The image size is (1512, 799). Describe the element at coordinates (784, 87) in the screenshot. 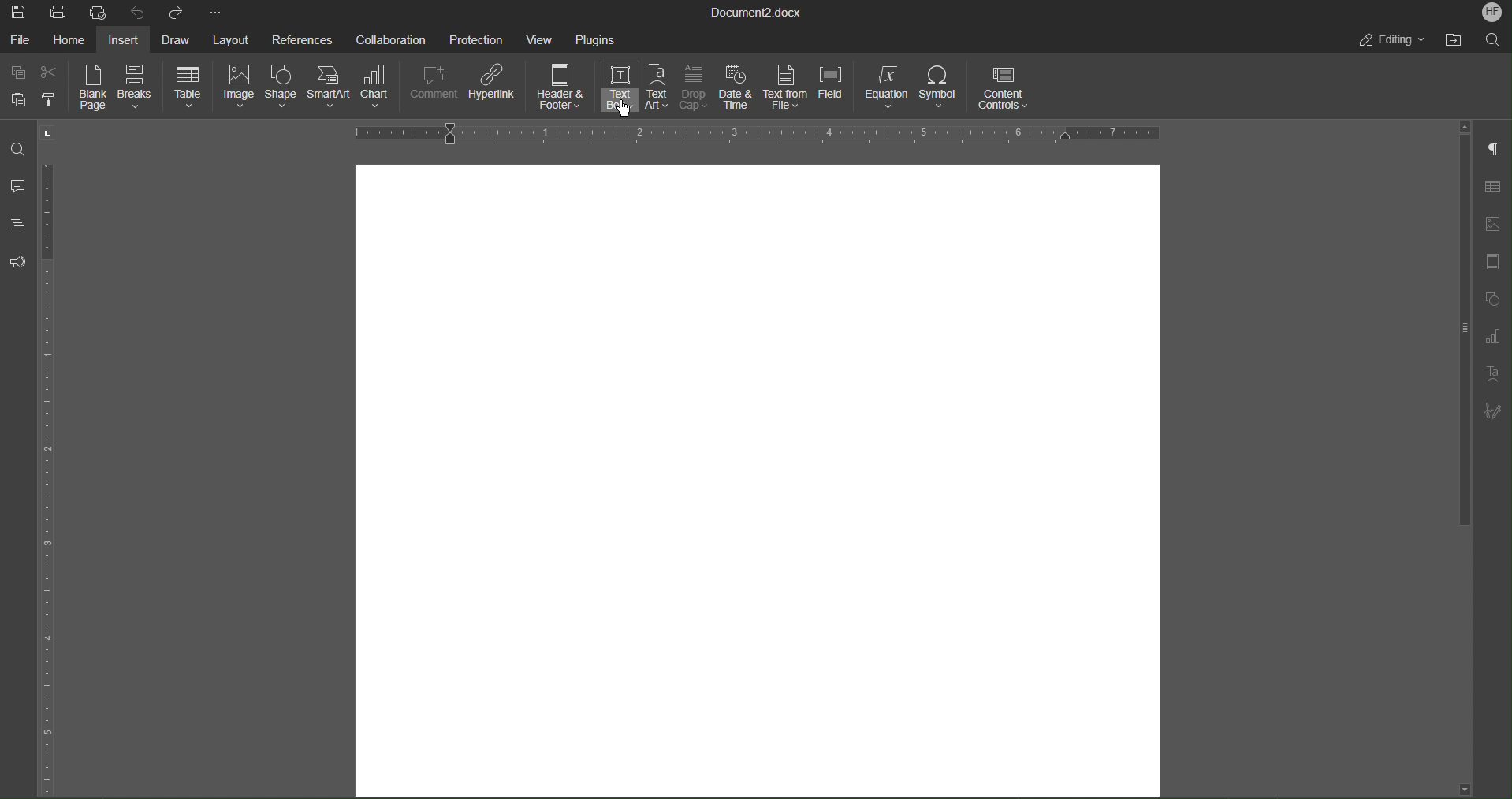

I see `Text from File` at that location.